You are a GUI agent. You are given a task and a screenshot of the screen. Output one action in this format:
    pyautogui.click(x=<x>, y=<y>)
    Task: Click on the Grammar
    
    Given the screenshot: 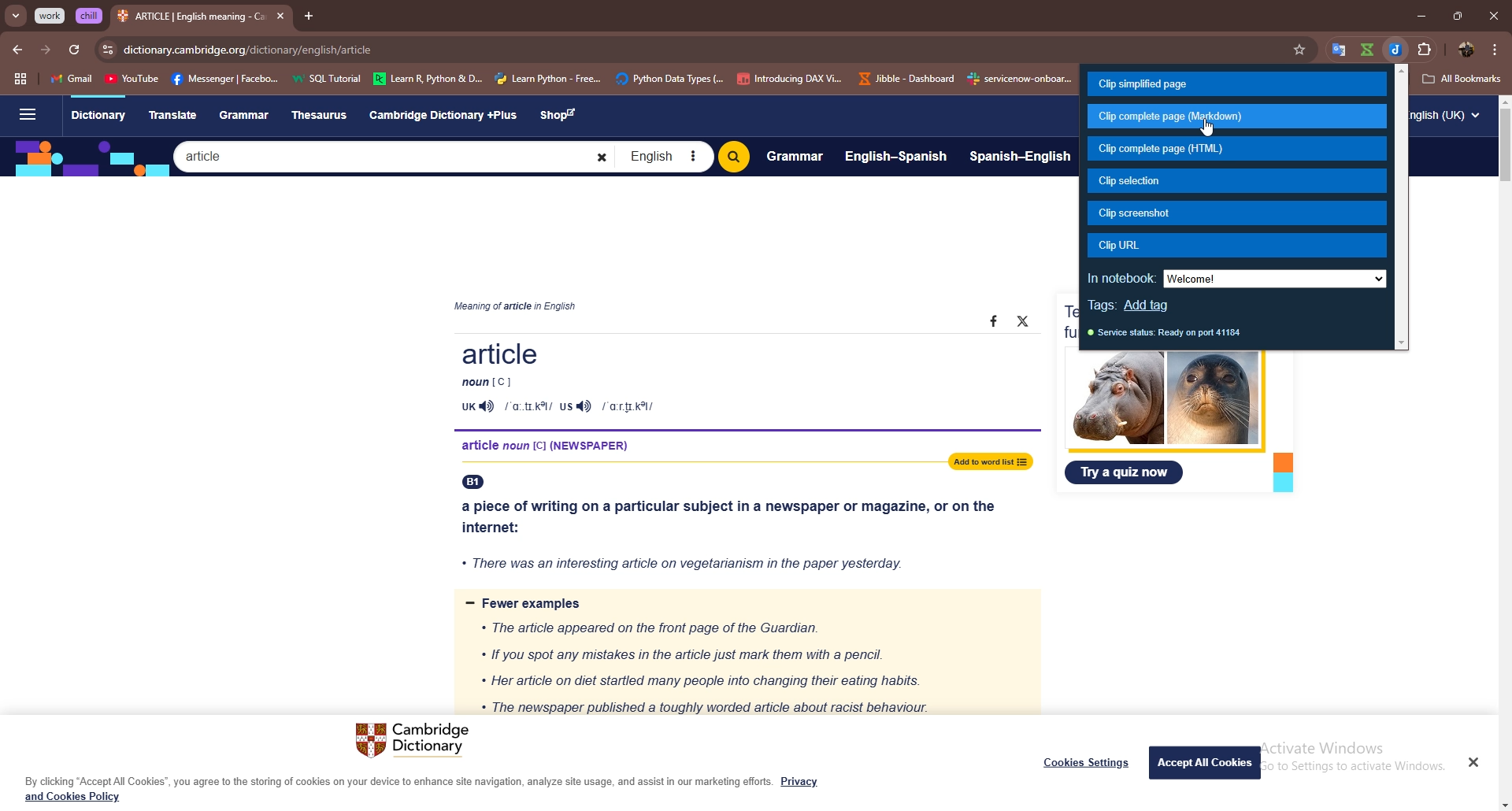 What is the action you would take?
    pyautogui.click(x=795, y=155)
    